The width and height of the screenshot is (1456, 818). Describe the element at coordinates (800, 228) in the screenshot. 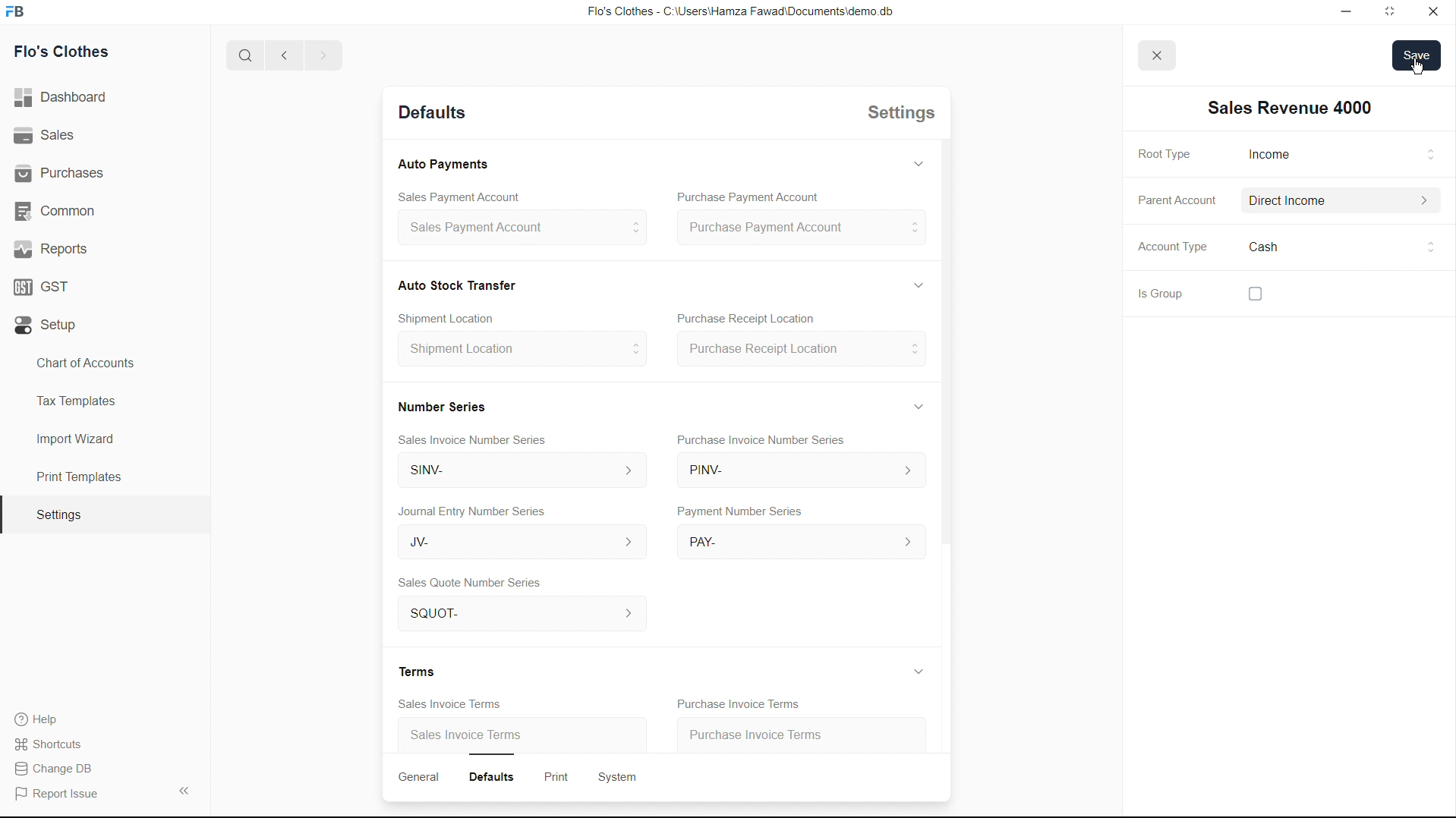

I see `Purchase Payment Account` at that location.